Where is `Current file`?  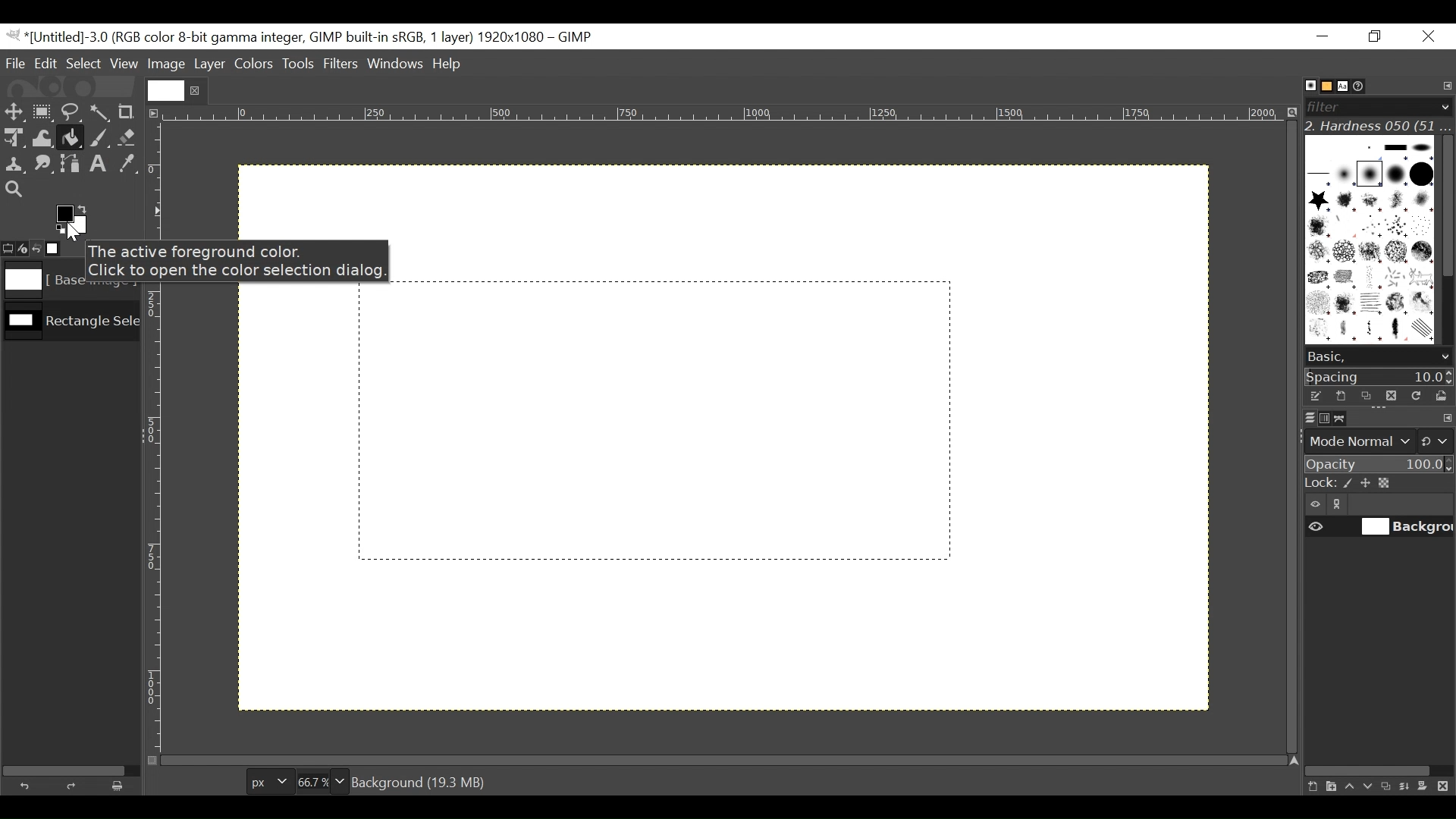 Current file is located at coordinates (165, 90).